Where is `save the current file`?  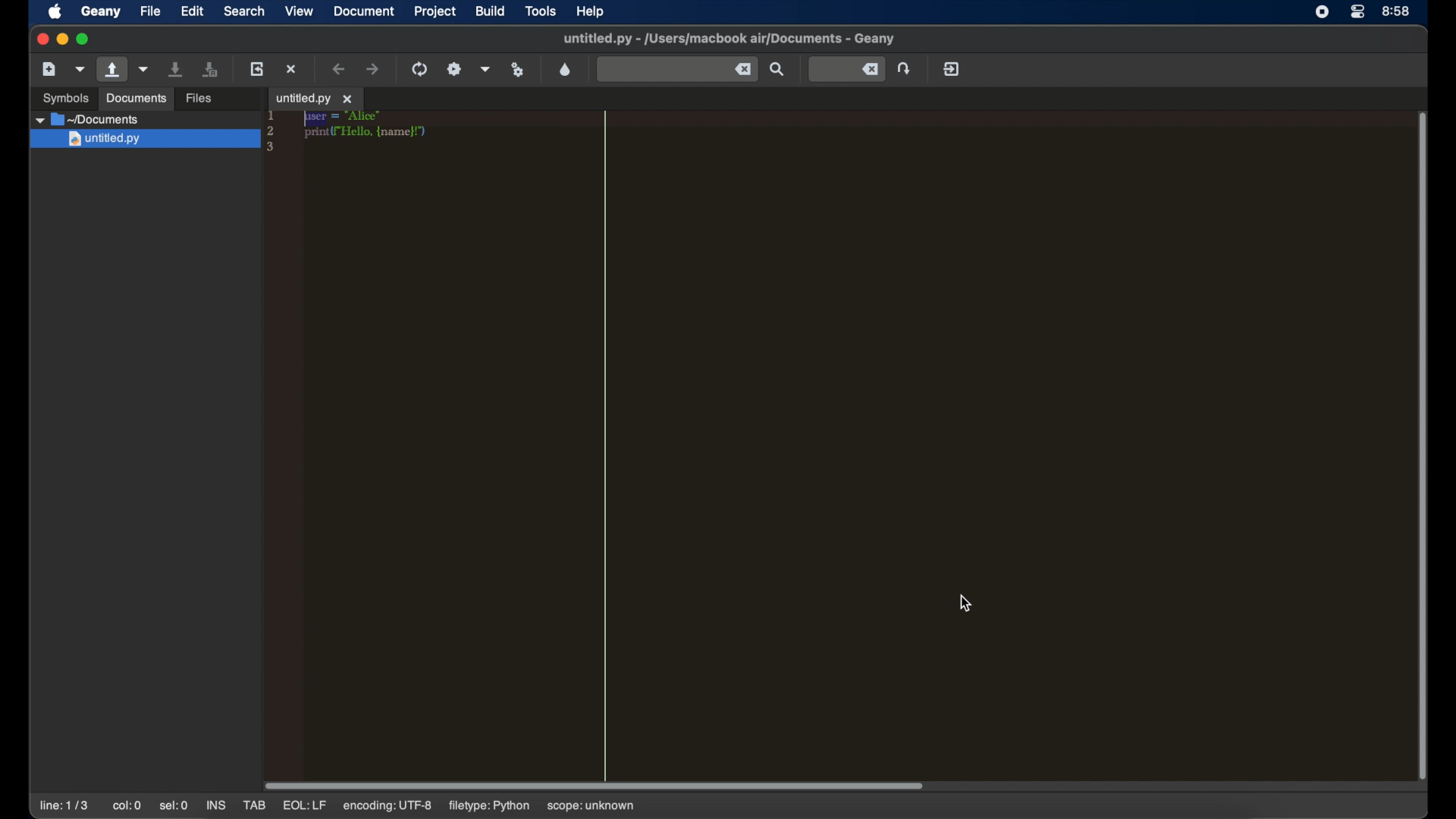 save the current file is located at coordinates (177, 70).